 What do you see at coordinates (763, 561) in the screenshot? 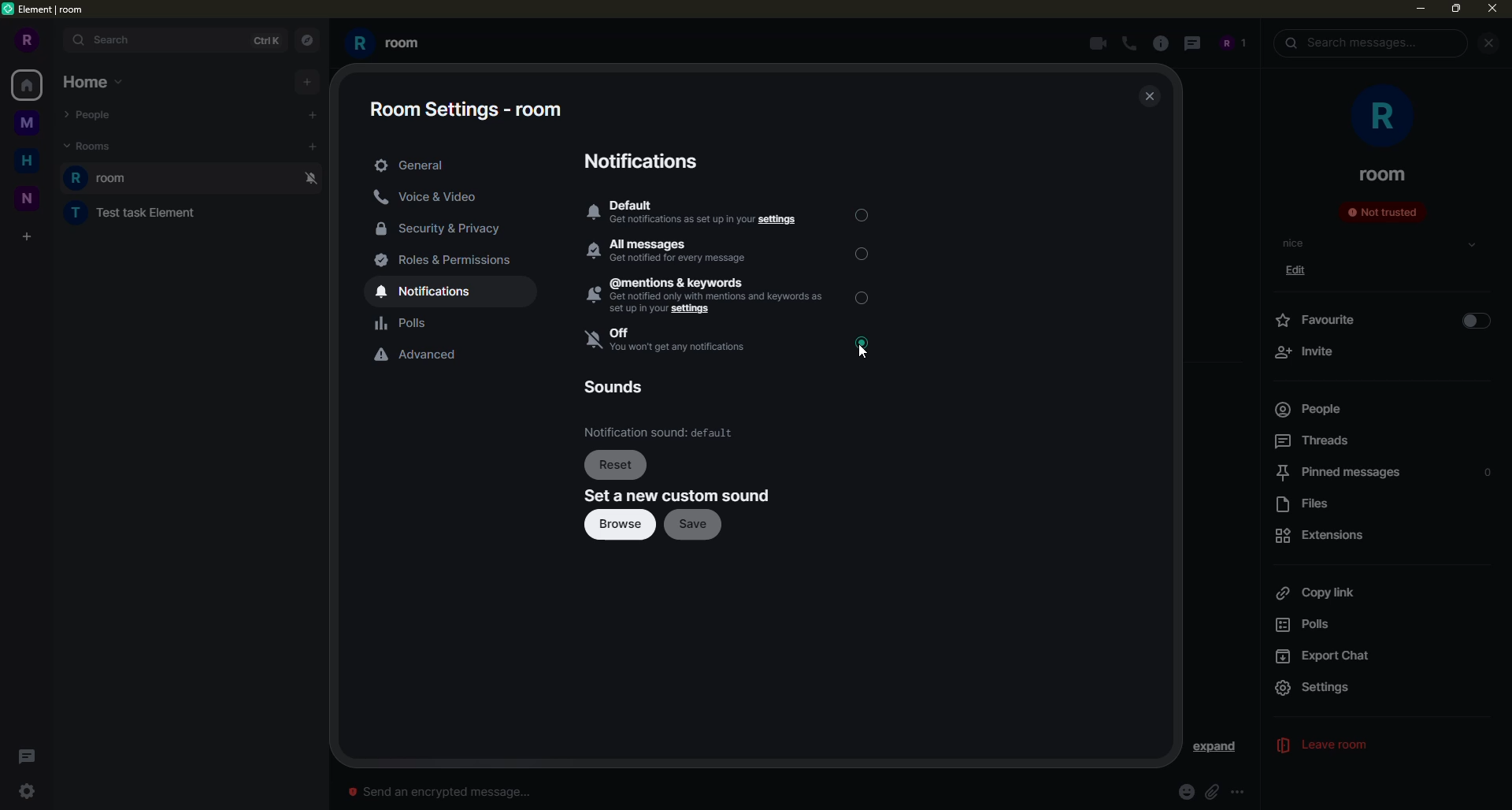
I see `publish room` at bounding box center [763, 561].